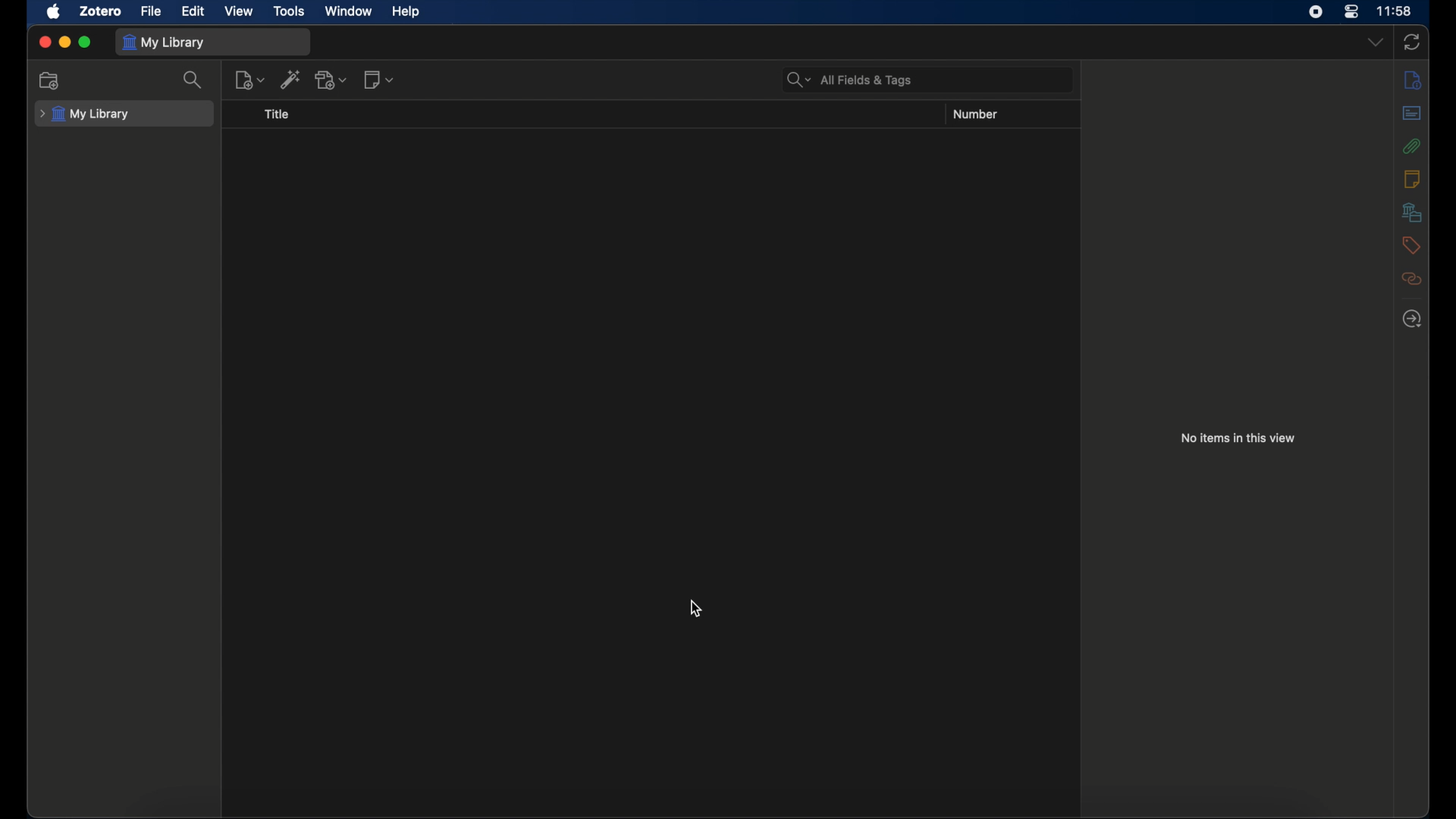 The image size is (1456, 819). Describe the element at coordinates (975, 114) in the screenshot. I see `number` at that location.